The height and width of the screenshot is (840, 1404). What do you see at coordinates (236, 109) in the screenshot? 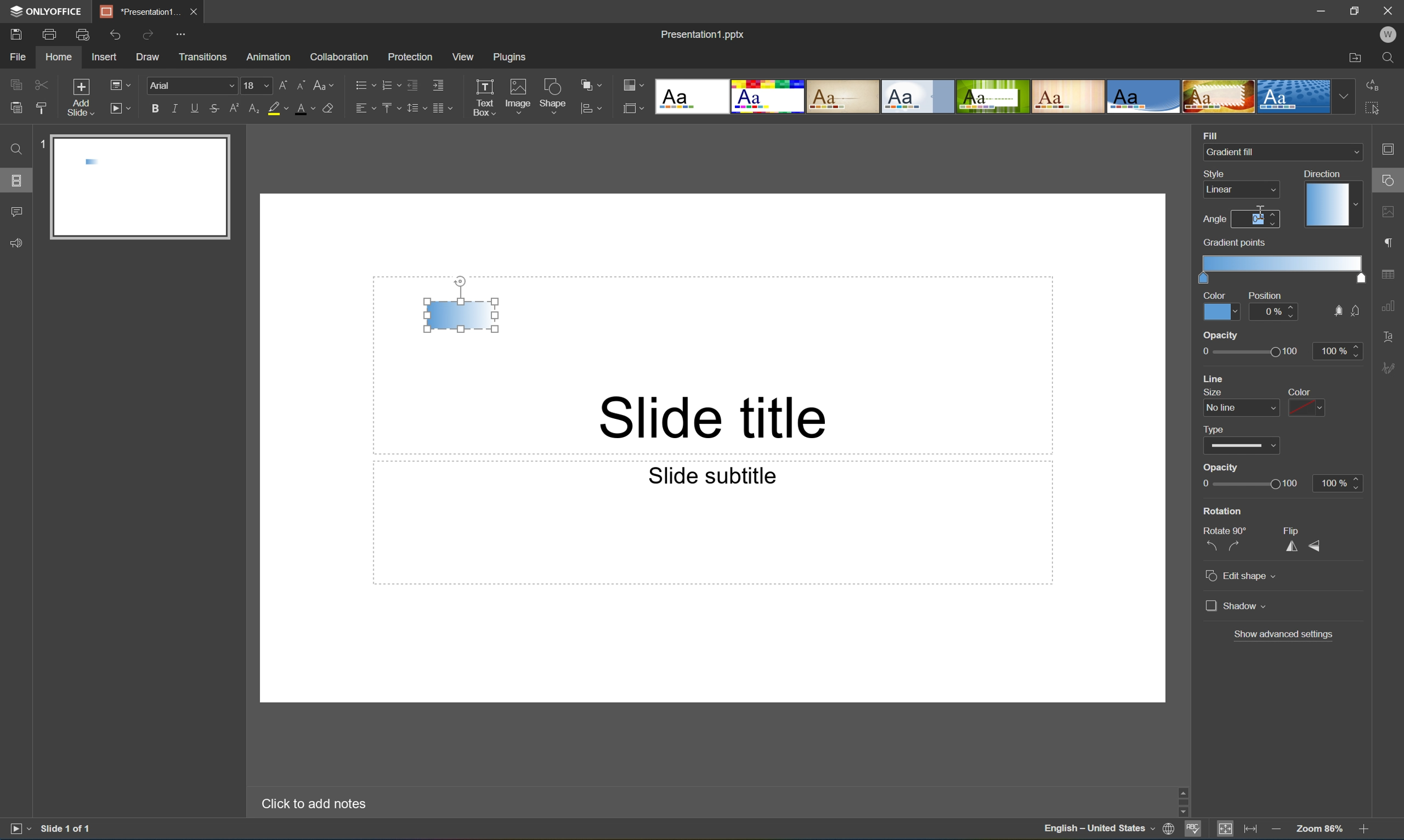
I see `Superscript` at bounding box center [236, 109].